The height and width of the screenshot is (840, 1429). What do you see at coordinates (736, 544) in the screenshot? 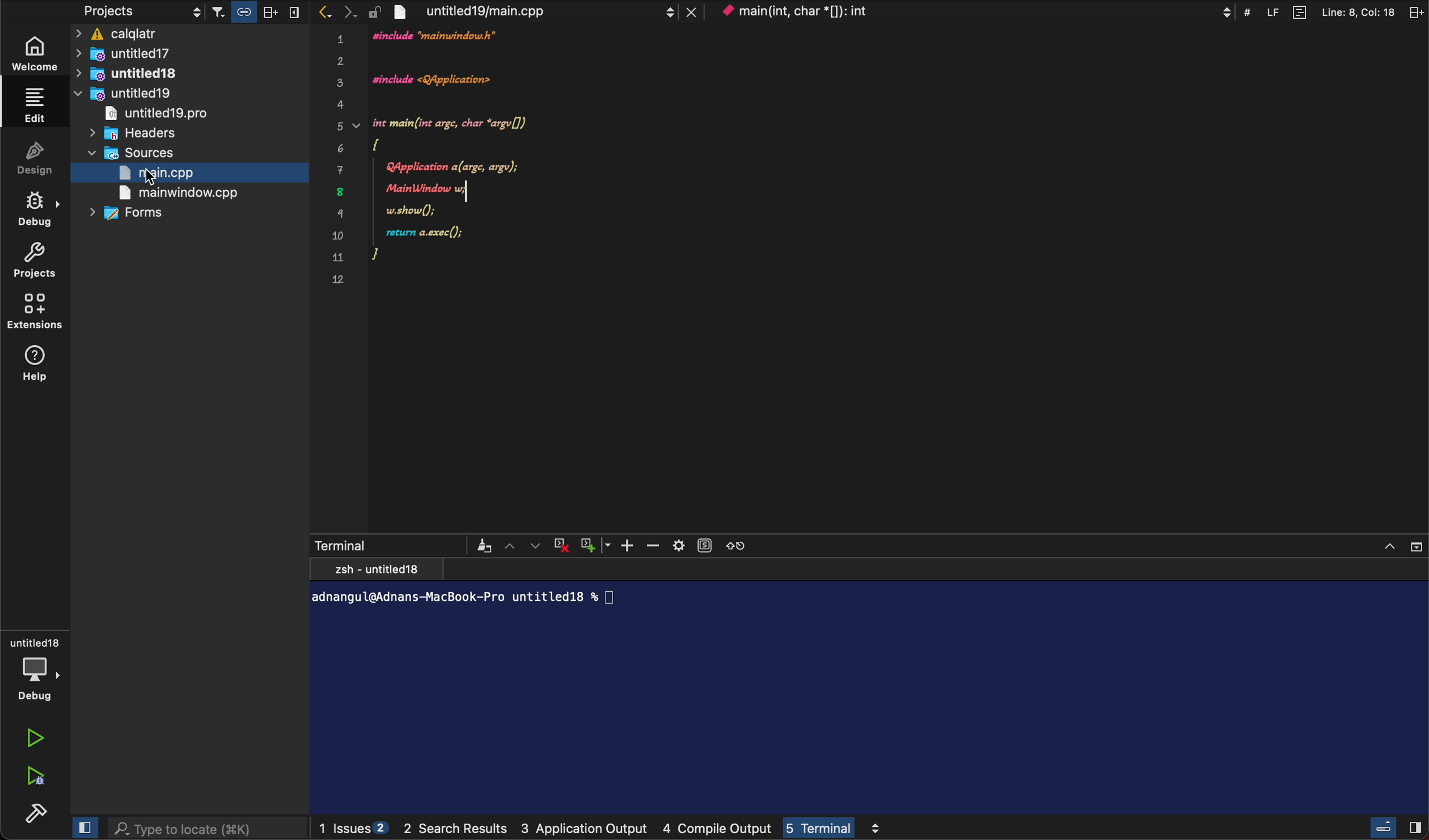
I see `Refresh` at bounding box center [736, 544].